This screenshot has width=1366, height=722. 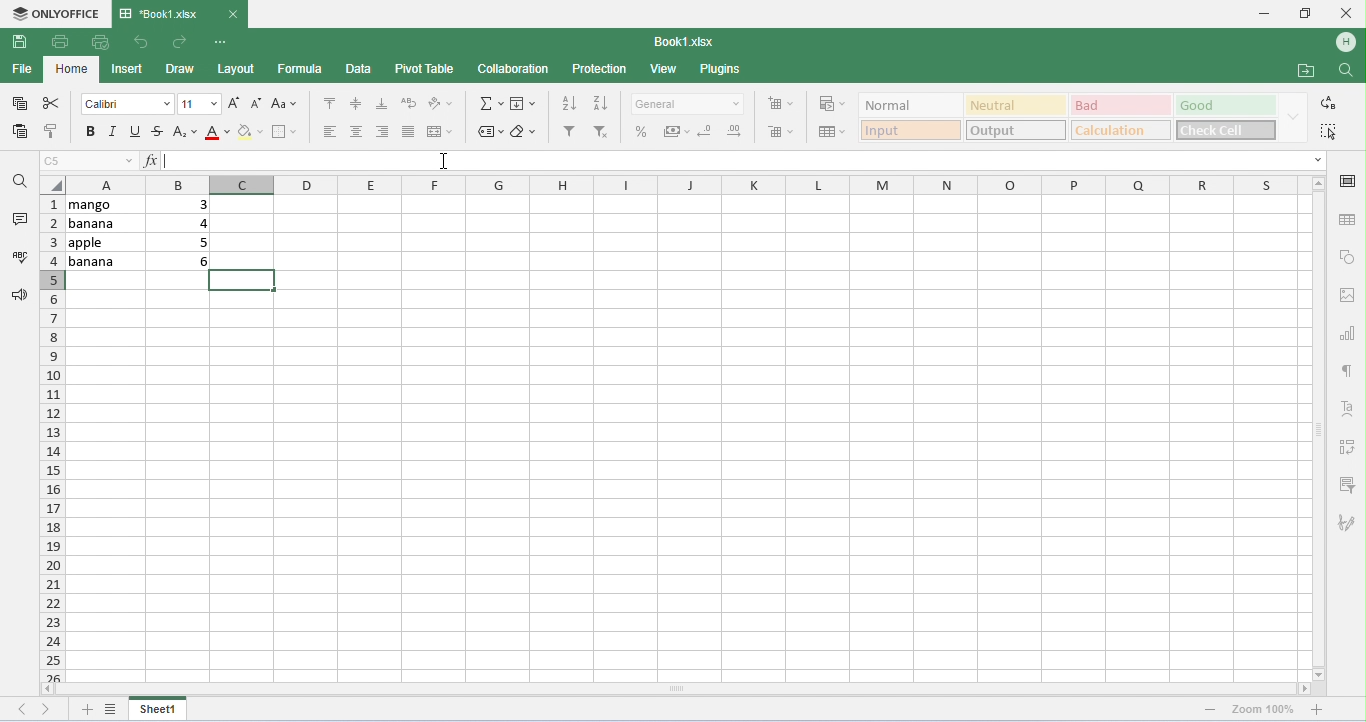 What do you see at coordinates (515, 69) in the screenshot?
I see `collaboration` at bounding box center [515, 69].